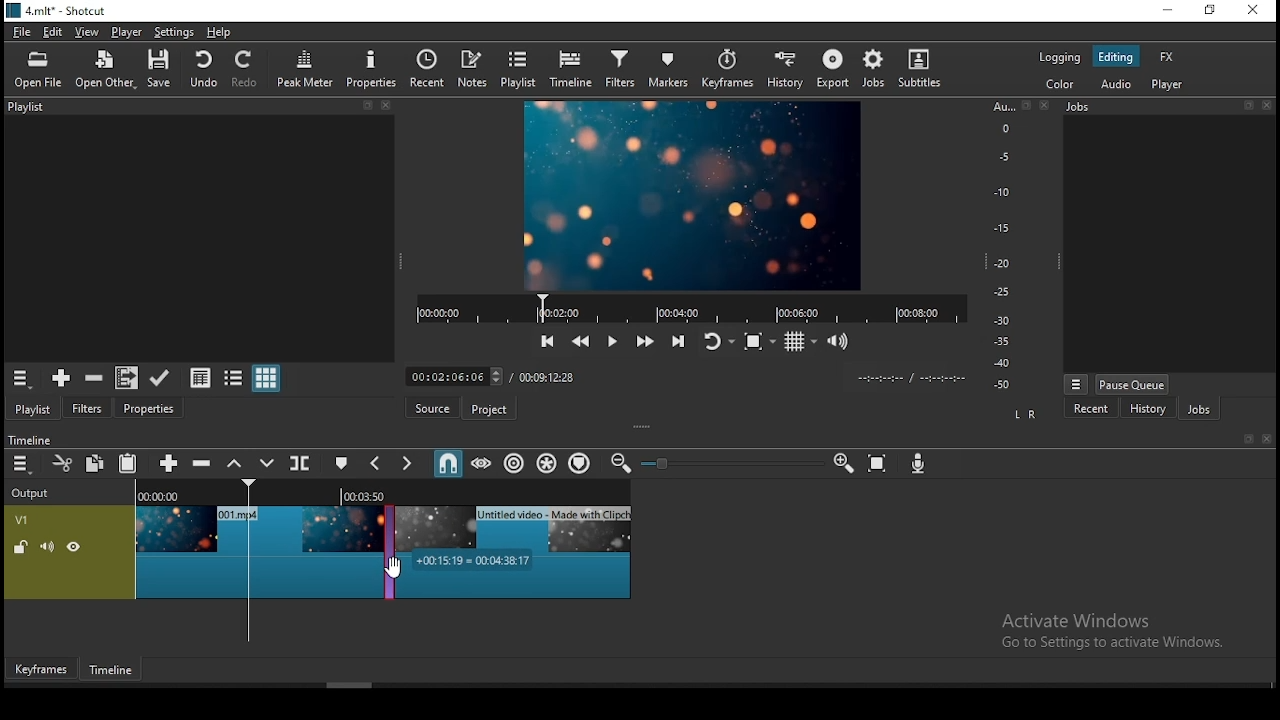 Image resolution: width=1280 pixels, height=720 pixels. I want to click on overwrite, so click(267, 463).